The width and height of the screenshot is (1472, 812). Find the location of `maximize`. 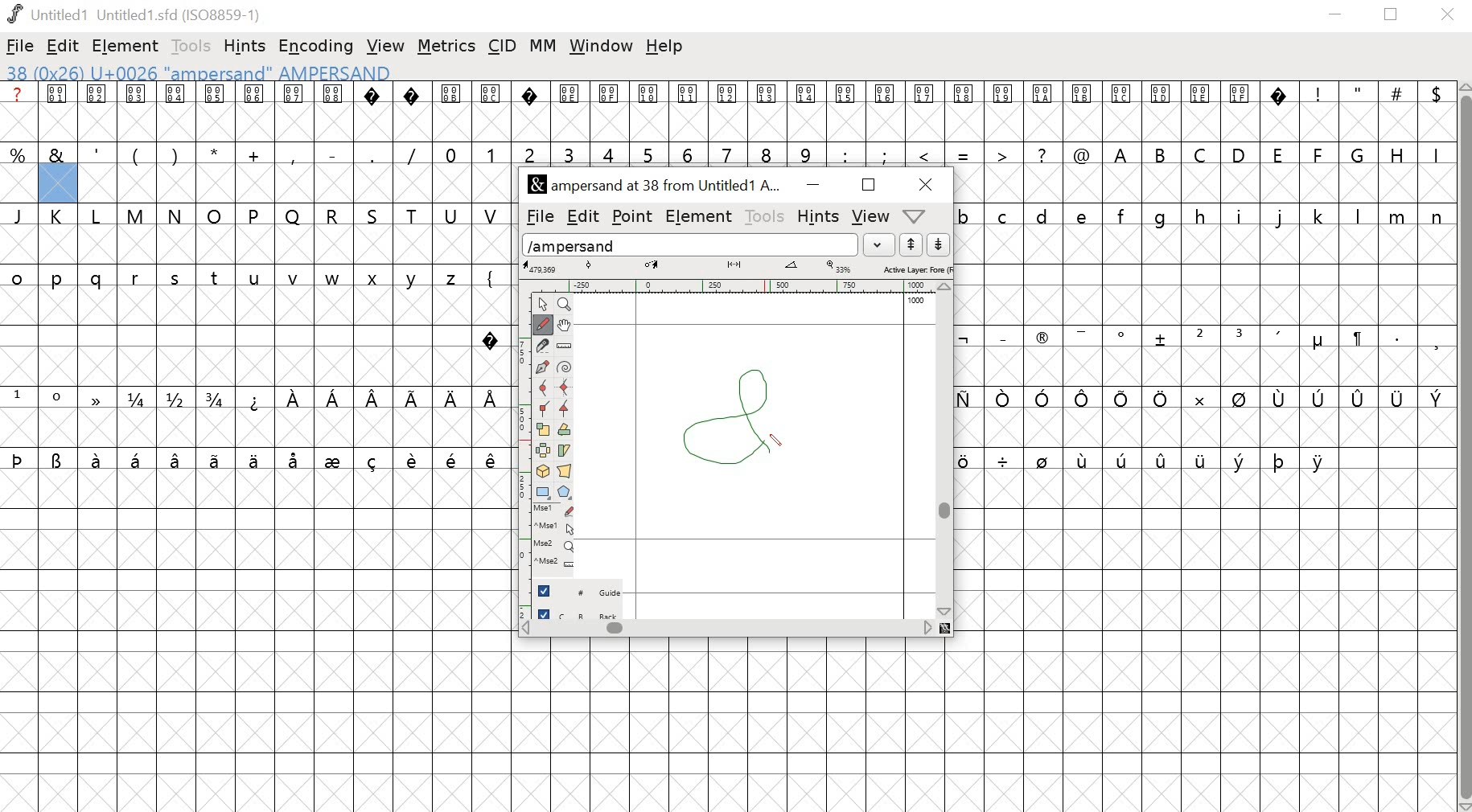

maximize is located at coordinates (868, 186).